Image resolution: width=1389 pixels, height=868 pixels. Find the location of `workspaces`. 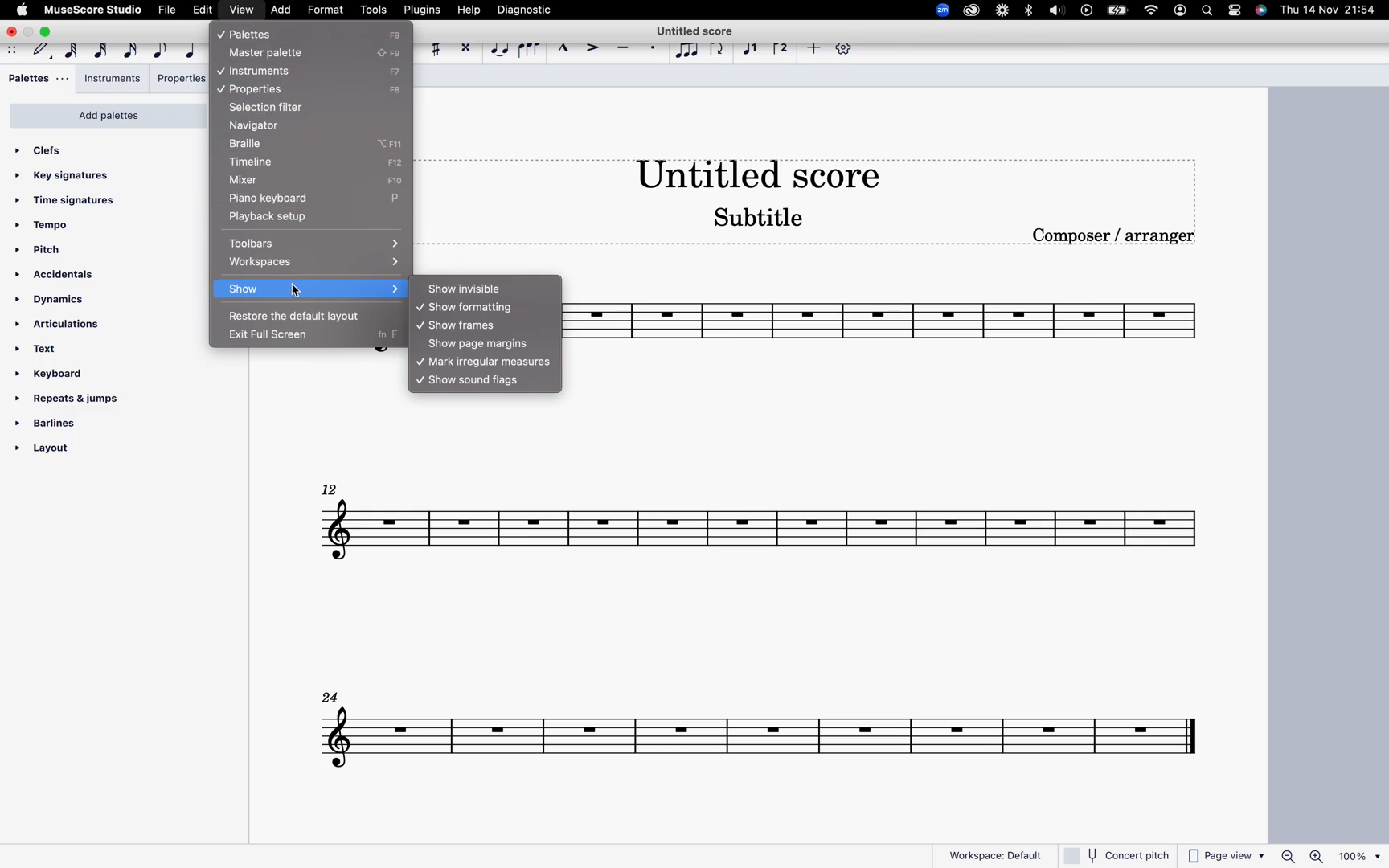

workspaces is located at coordinates (315, 262).